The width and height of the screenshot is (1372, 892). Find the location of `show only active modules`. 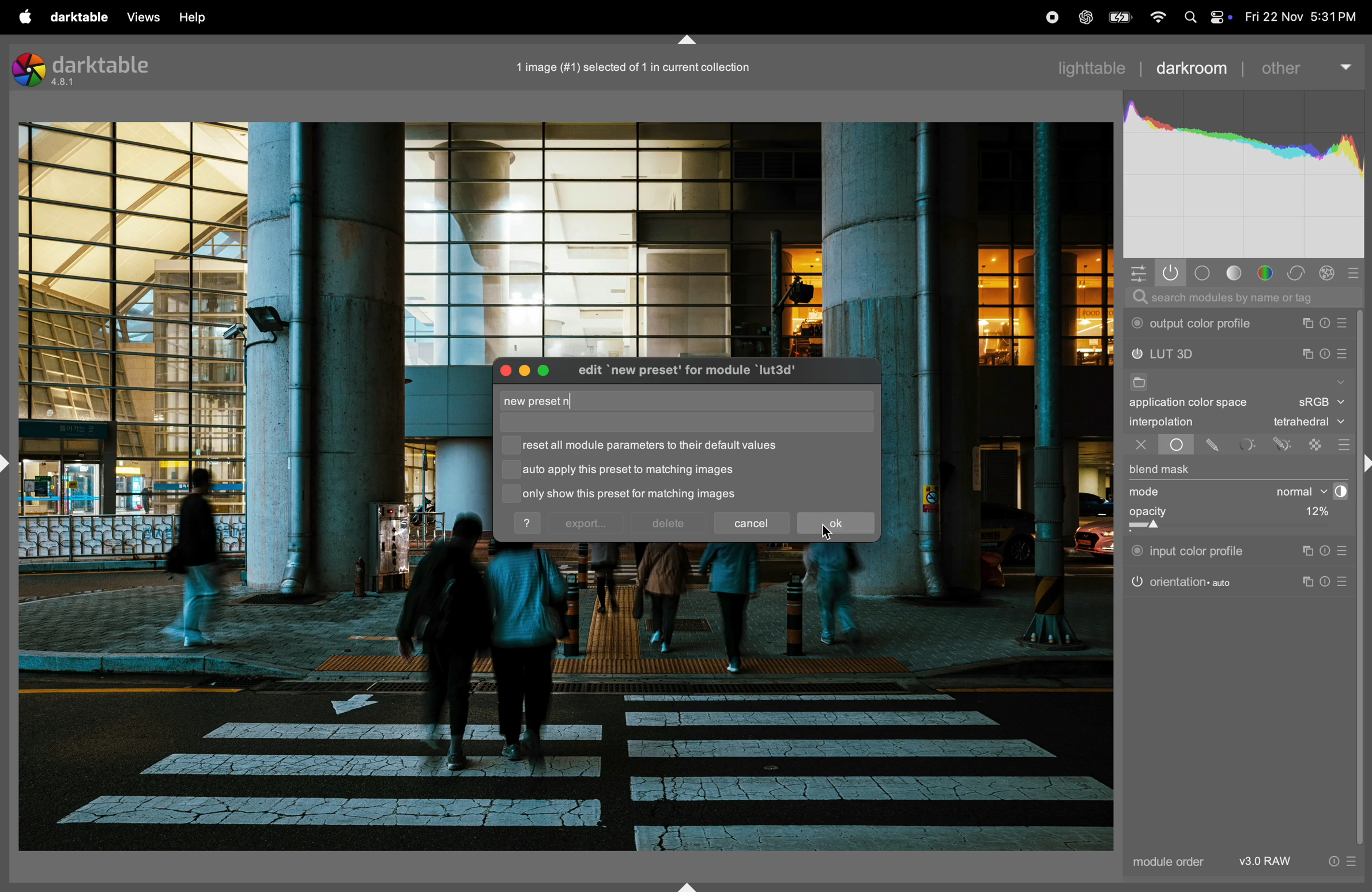

show only active modules is located at coordinates (1171, 273).